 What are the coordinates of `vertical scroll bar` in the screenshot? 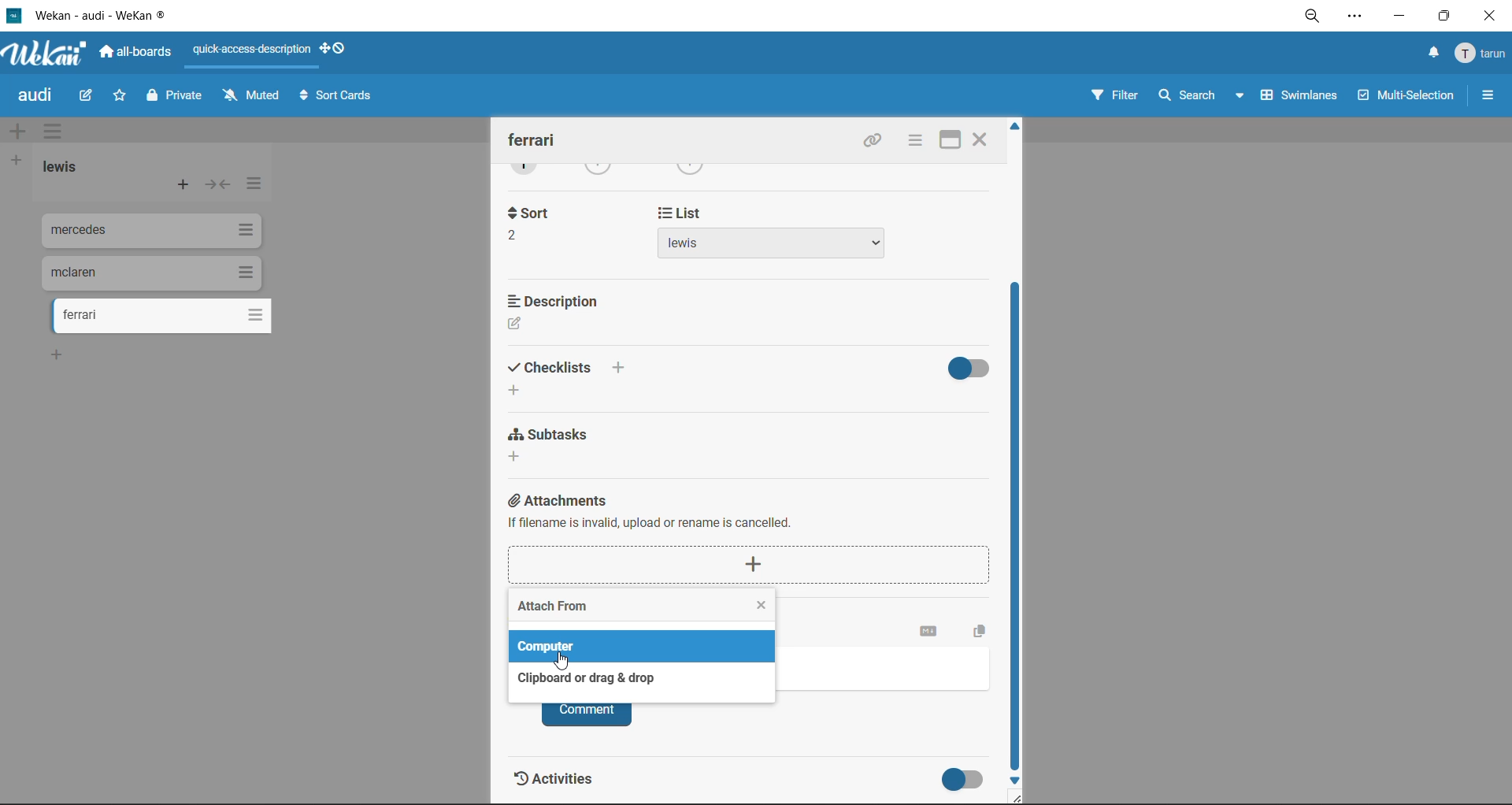 It's located at (1018, 529).